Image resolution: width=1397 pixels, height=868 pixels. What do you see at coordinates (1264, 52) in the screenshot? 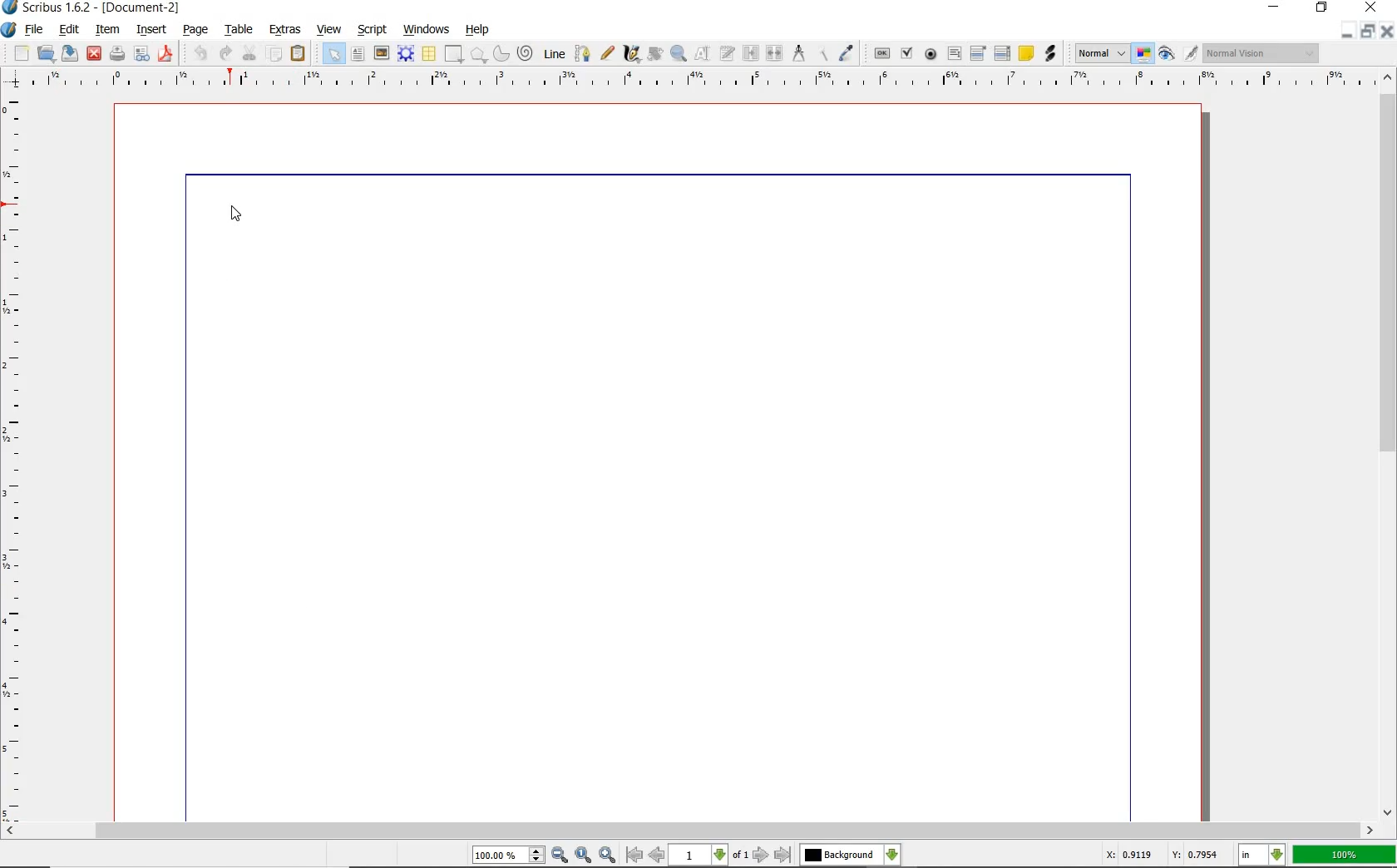
I see `visual appearance of the display` at bounding box center [1264, 52].